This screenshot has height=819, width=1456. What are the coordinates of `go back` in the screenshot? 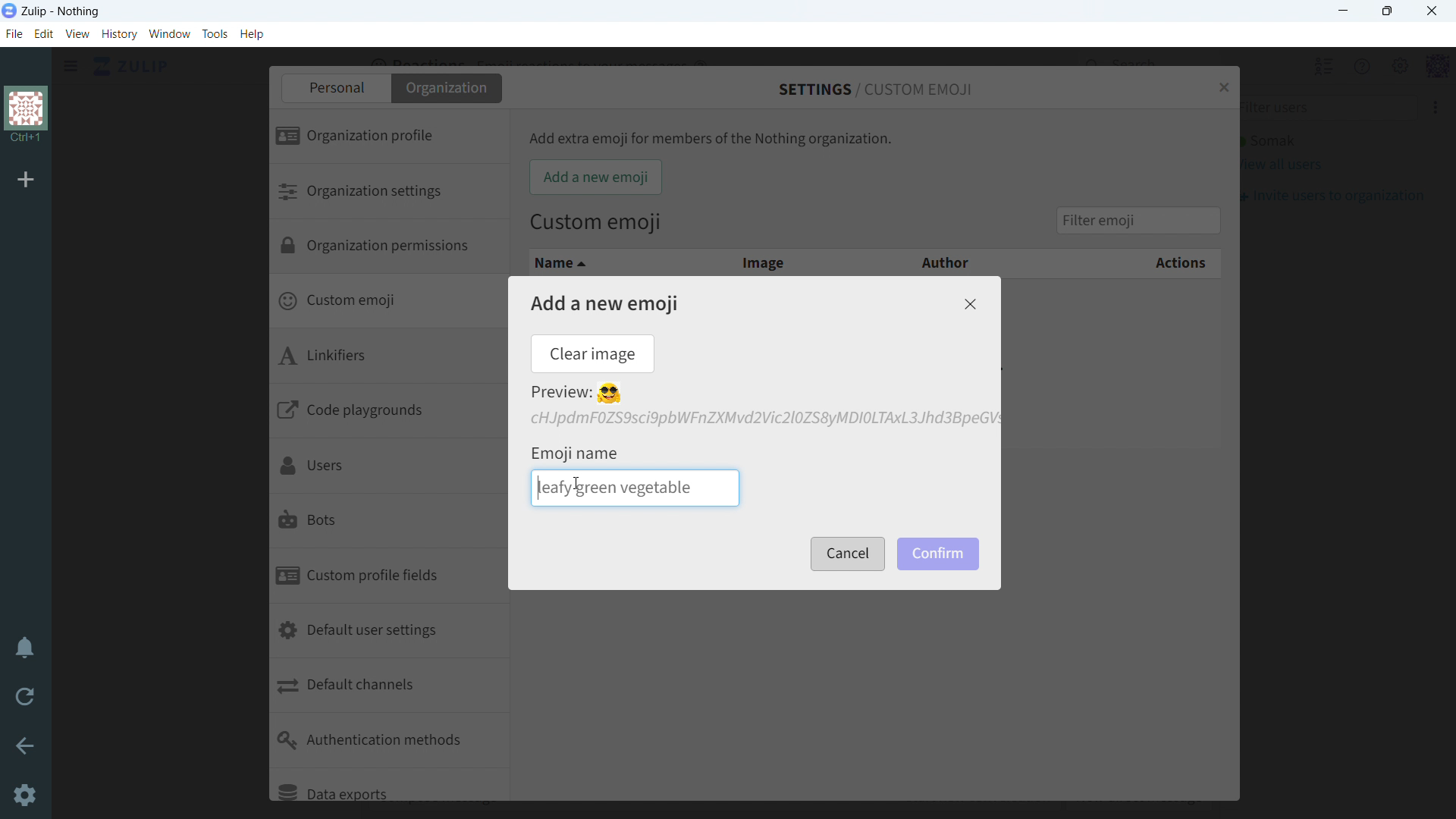 It's located at (24, 745).